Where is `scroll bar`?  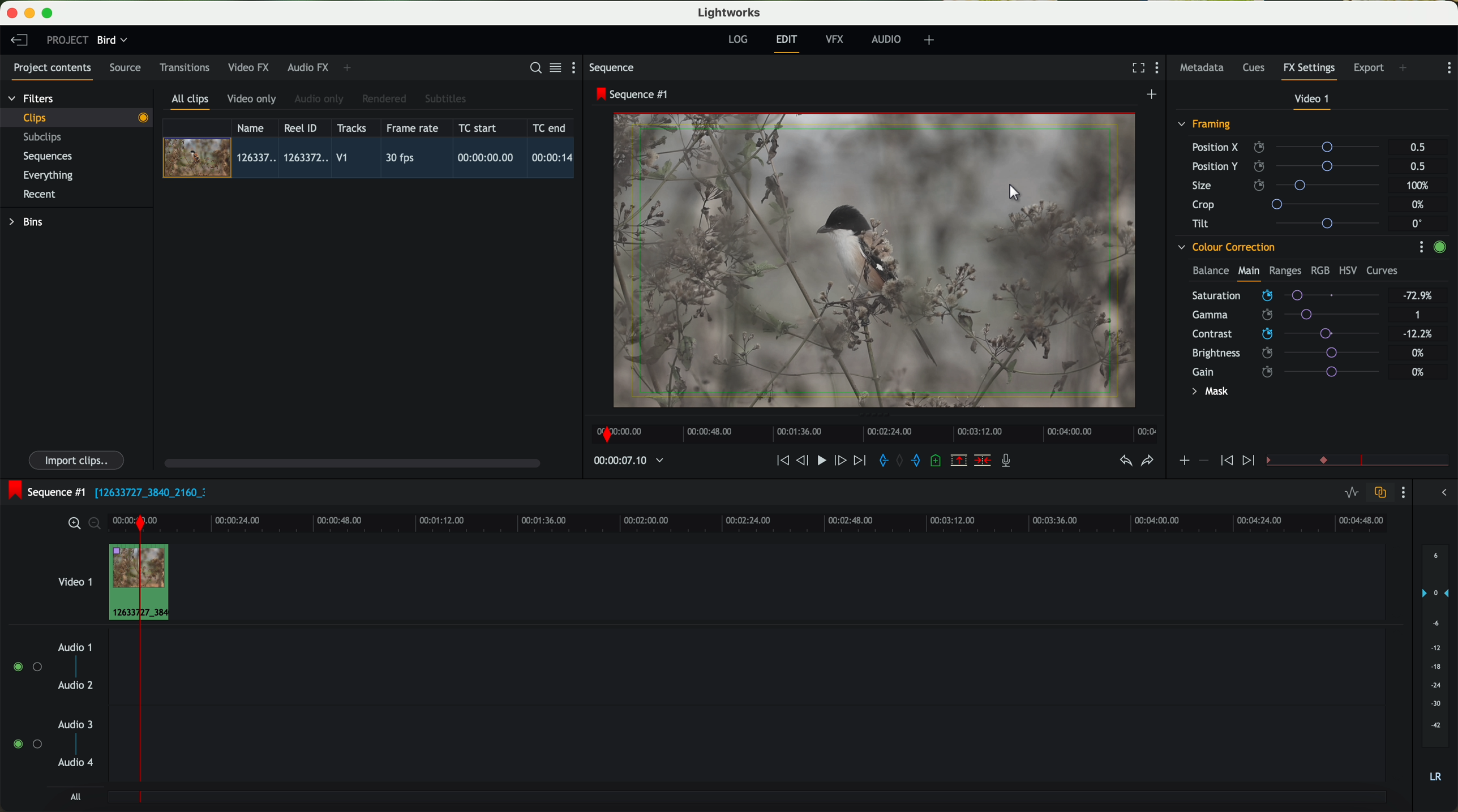 scroll bar is located at coordinates (351, 462).